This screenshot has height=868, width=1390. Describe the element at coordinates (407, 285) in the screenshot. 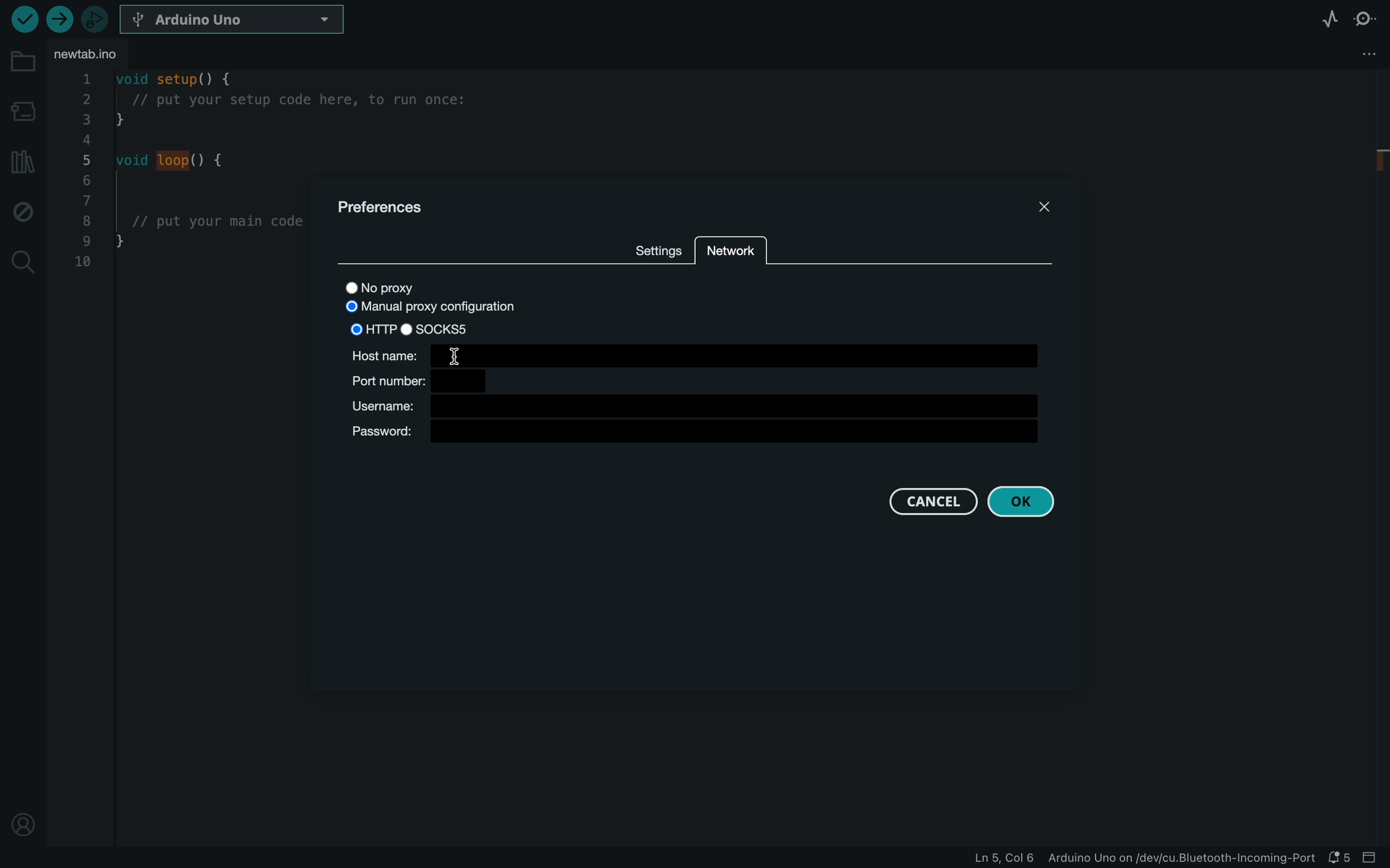

I see `no proxy` at that location.